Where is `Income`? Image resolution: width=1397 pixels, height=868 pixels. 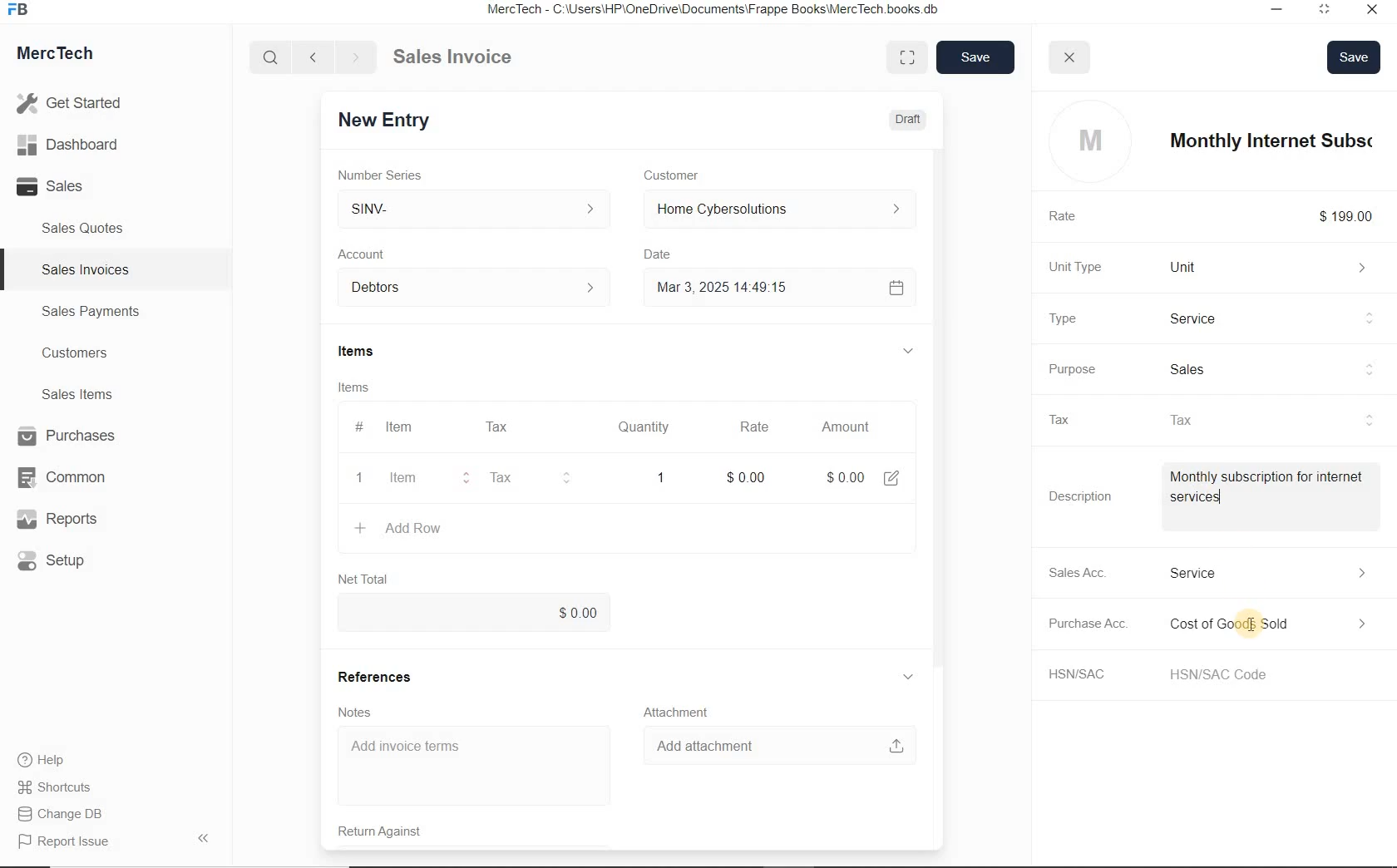 Income is located at coordinates (1264, 572).